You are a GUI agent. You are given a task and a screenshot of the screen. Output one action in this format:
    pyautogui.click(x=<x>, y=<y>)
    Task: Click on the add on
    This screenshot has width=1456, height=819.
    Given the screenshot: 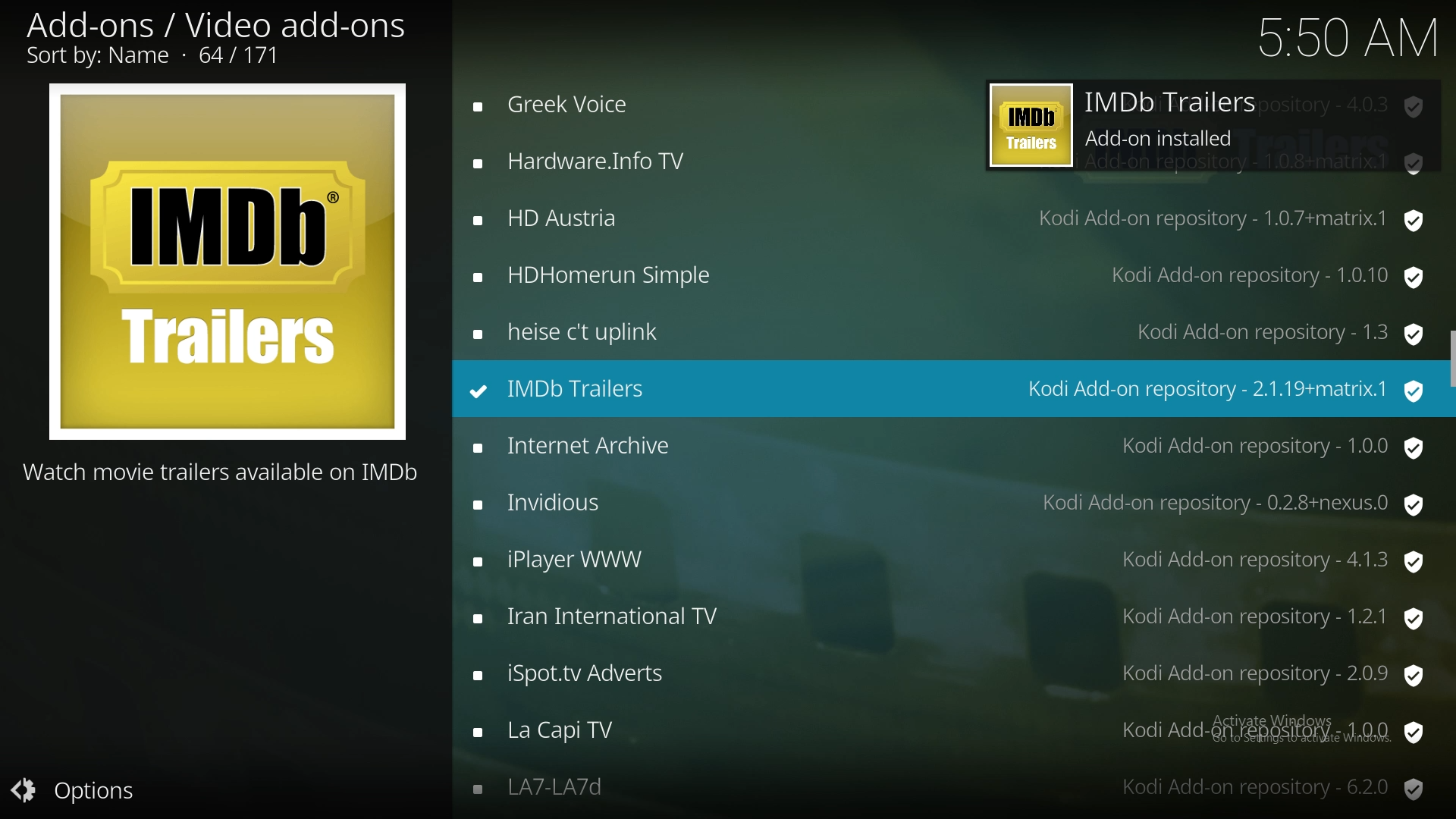 What is the action you would take?
    pyautogui.click(x=952, y=275)
    